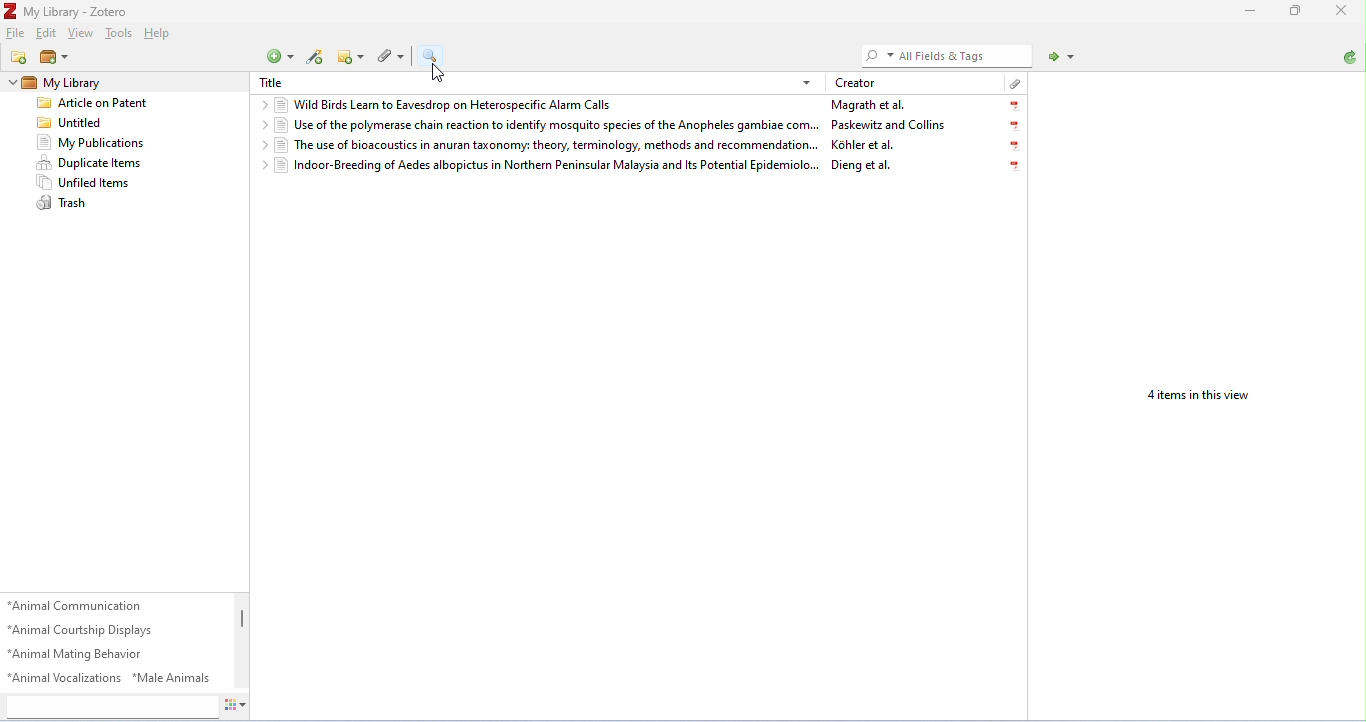 Image resolution: width=1366 pixels, height=722 pixels. What do you see at coordinates (77, 605) in the screenshot?
I see `animal communication` at bounding box center [77, 605].